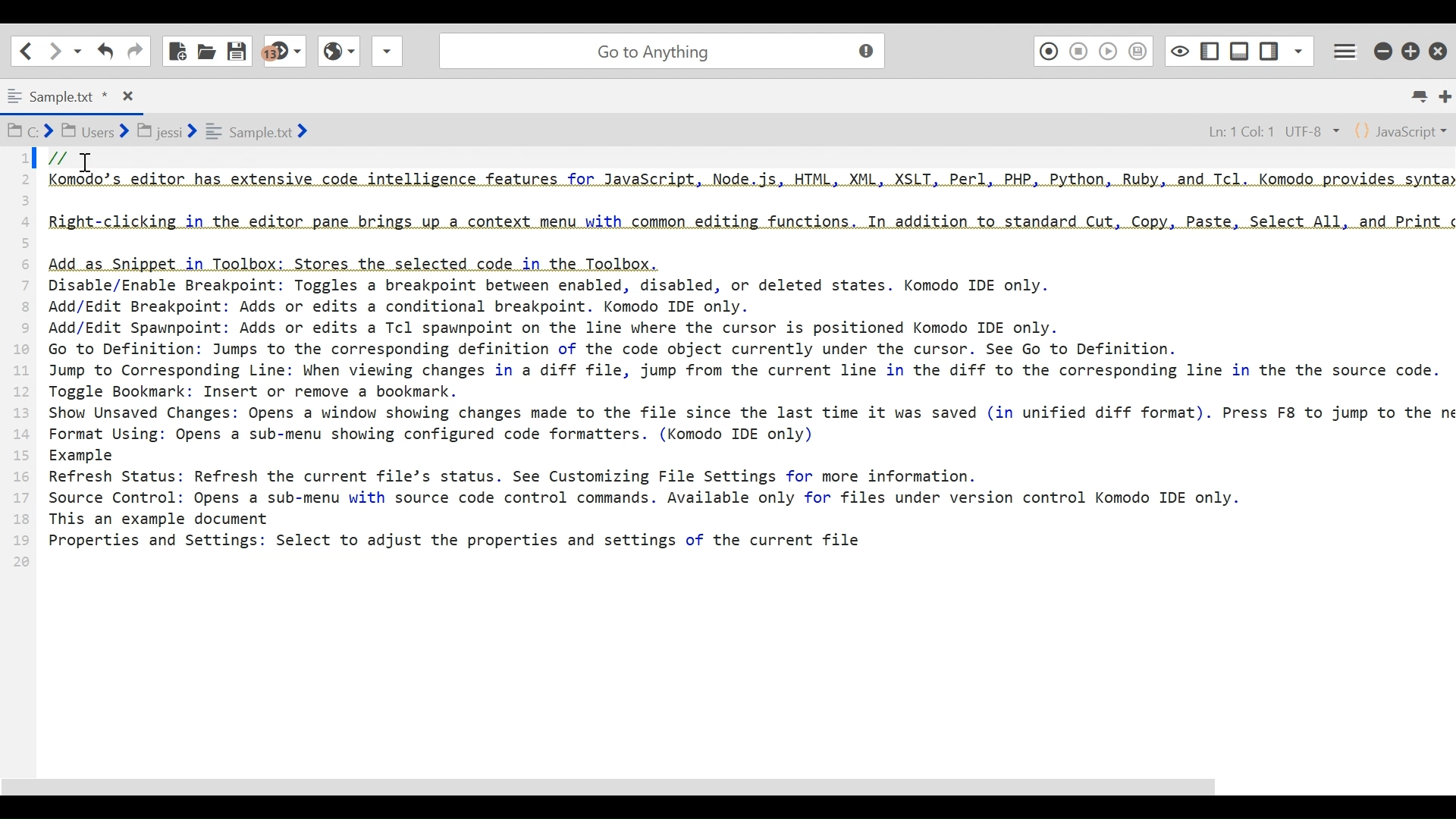 The width and height of the screenshot is (1456, 819). What do you see at coordinates (135, 50) in the screenshot?
I see `Redo` at bounding box center [135, 50].